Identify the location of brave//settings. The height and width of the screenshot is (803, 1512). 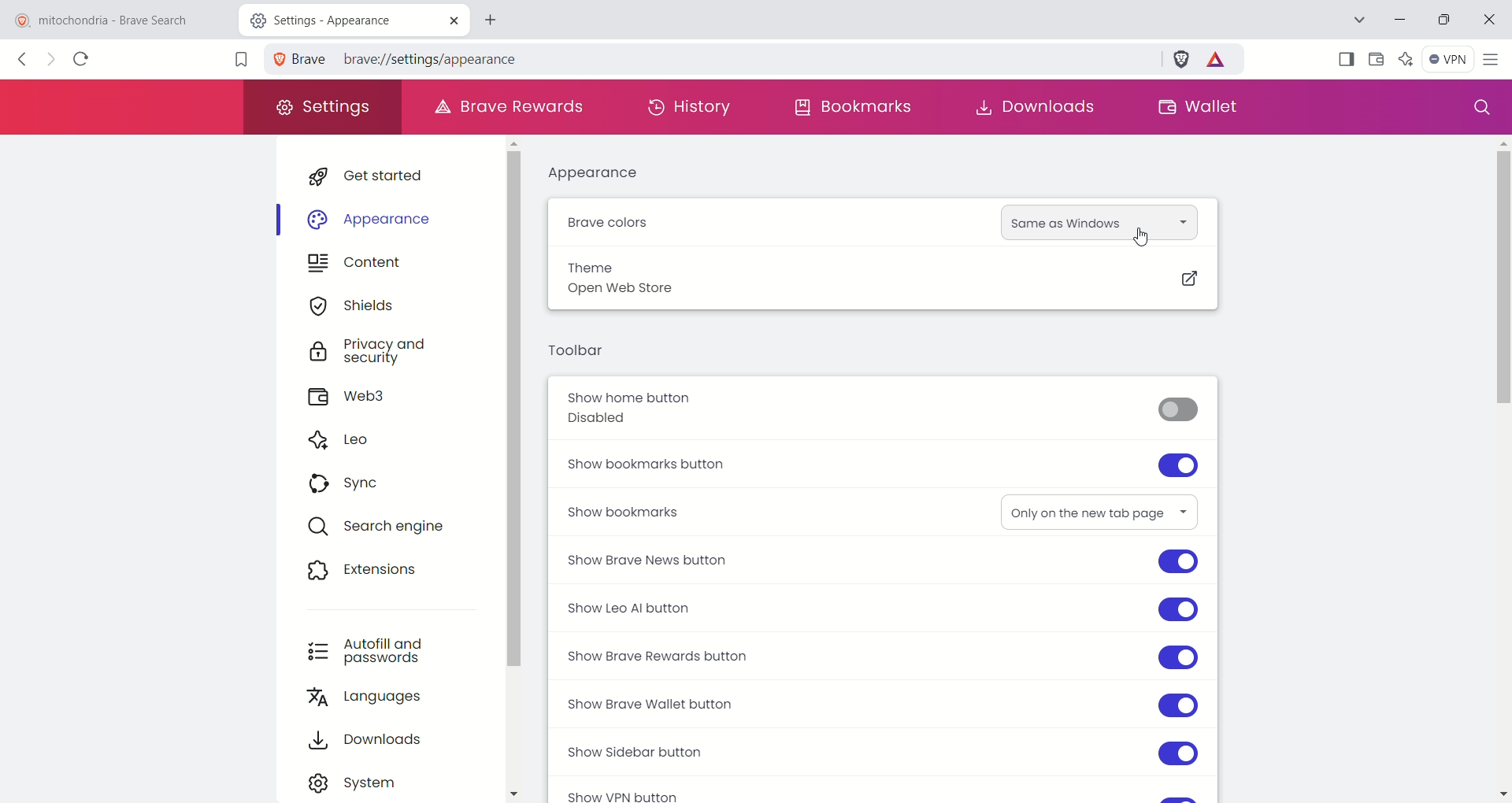
(402, 57).